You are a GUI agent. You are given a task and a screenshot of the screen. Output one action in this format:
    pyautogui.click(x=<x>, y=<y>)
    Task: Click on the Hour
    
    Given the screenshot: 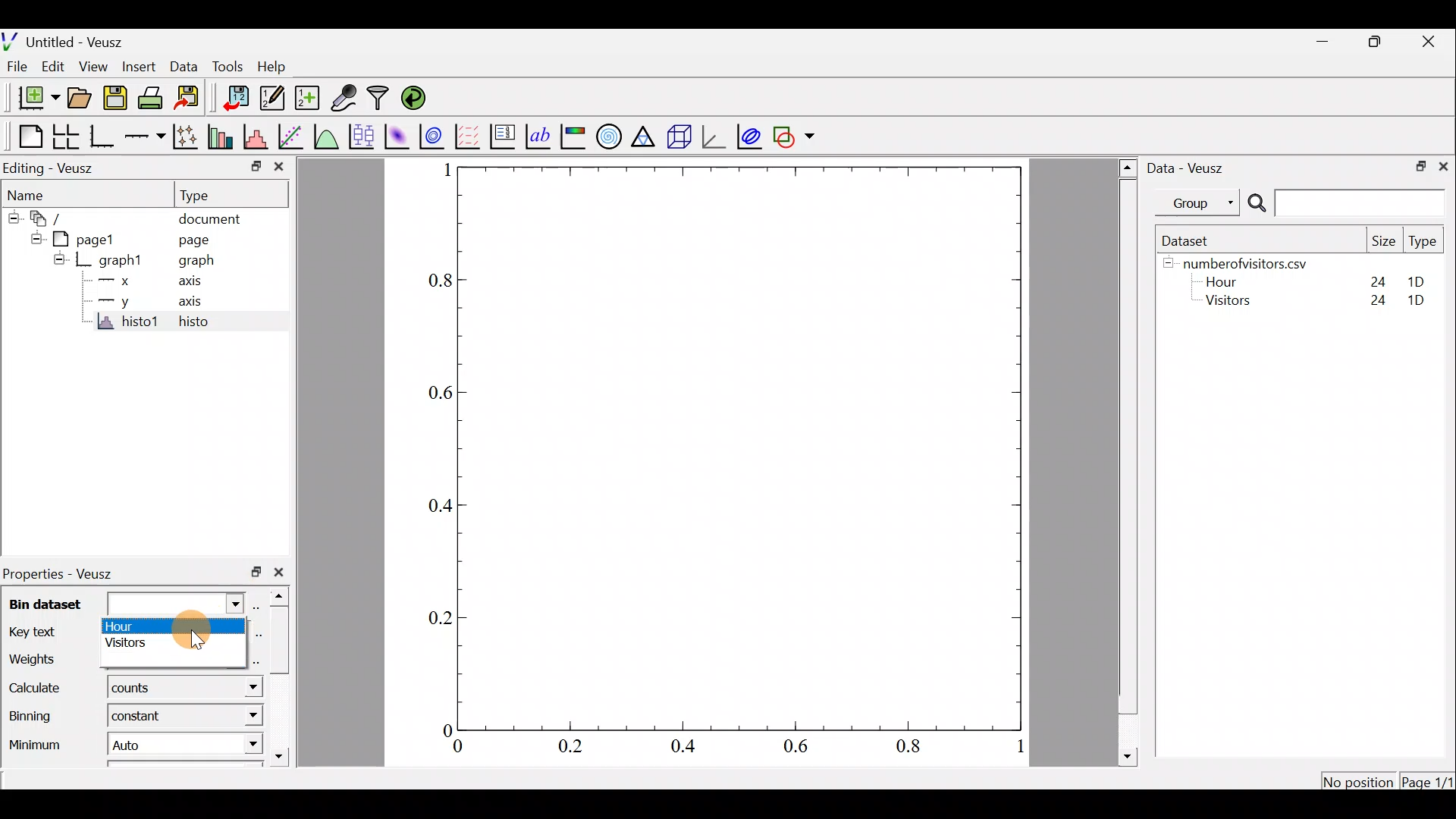 What is the action you would take?
    pyautogui.click(x=1228, y=281)
    